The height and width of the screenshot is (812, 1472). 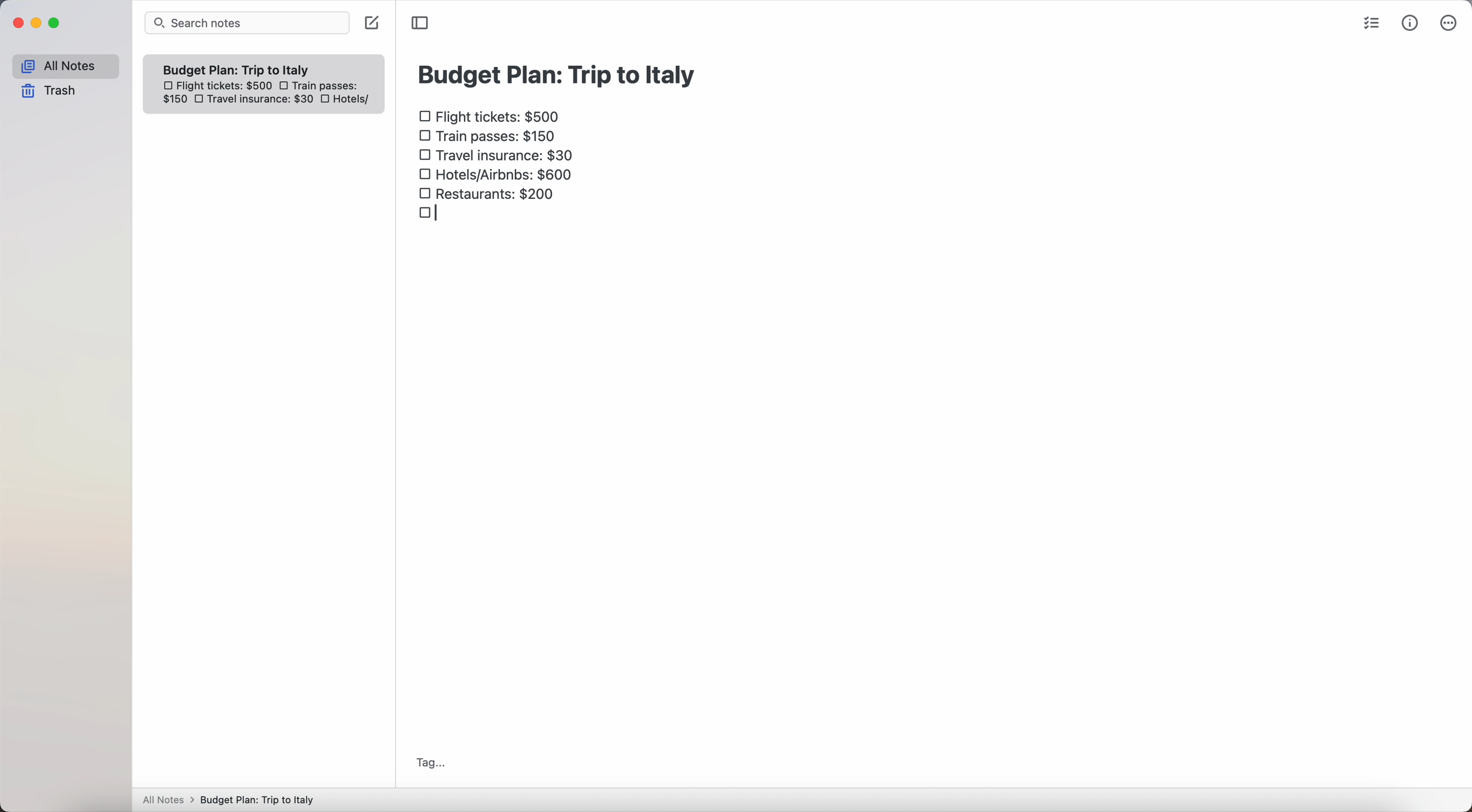 What do you see at coordinates (247, 23) in the screenshot?
I see `search bar` at bounding box center [247, 23].